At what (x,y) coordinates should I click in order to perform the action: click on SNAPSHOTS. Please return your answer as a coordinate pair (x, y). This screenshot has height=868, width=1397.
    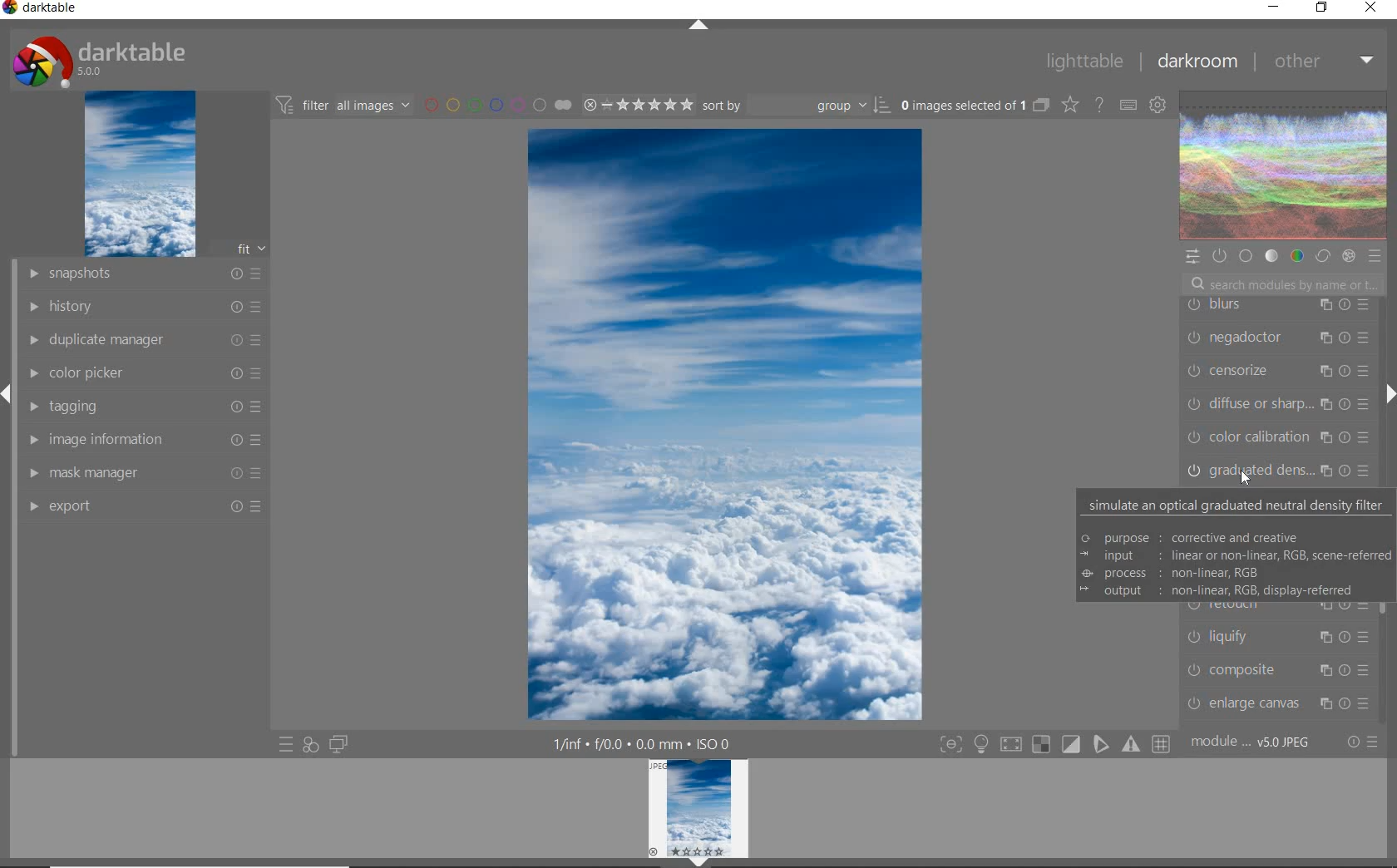
    Looking at the image, I should click on (146, 274).